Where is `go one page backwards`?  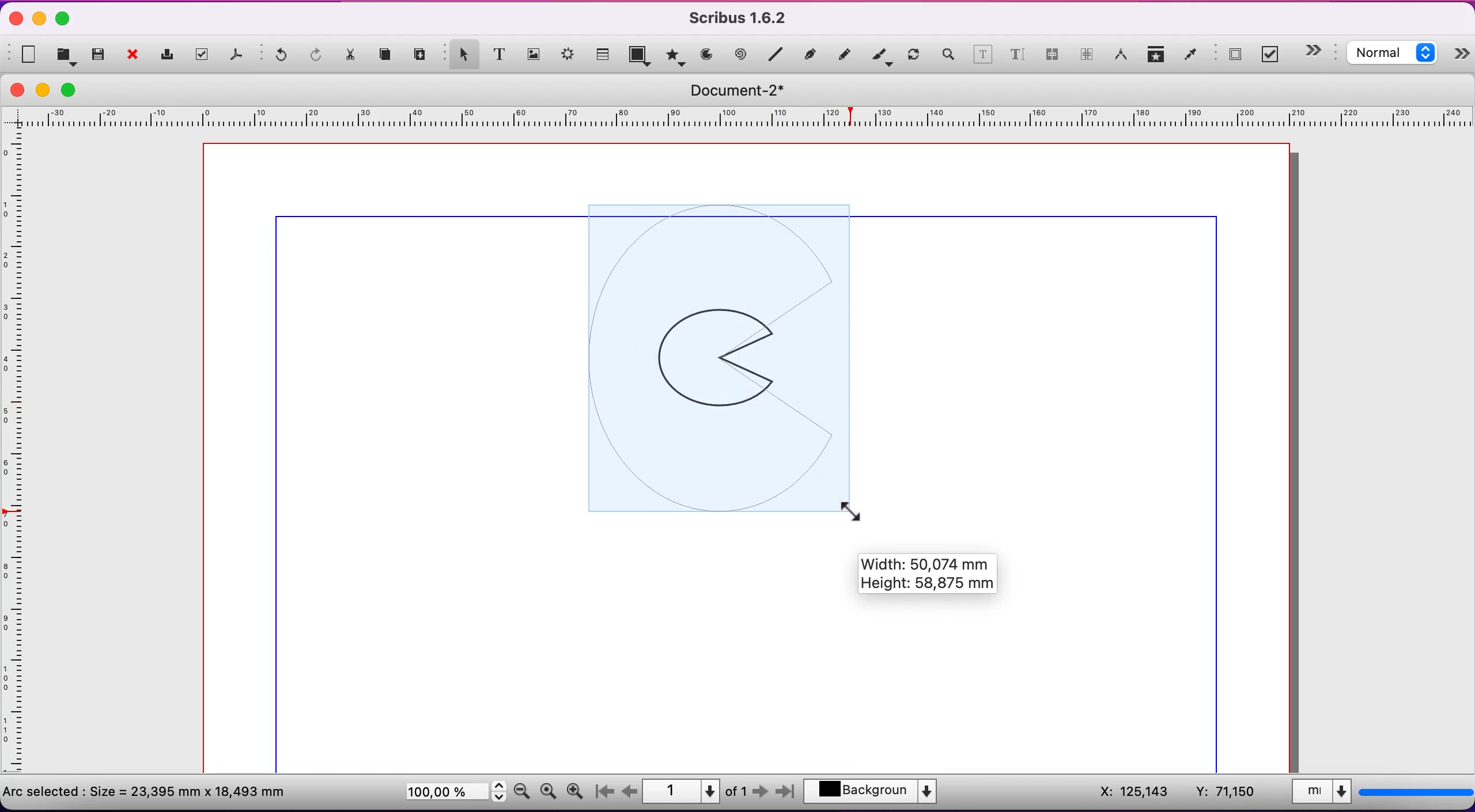
go one page backwards is located at coordinates (630, 791).